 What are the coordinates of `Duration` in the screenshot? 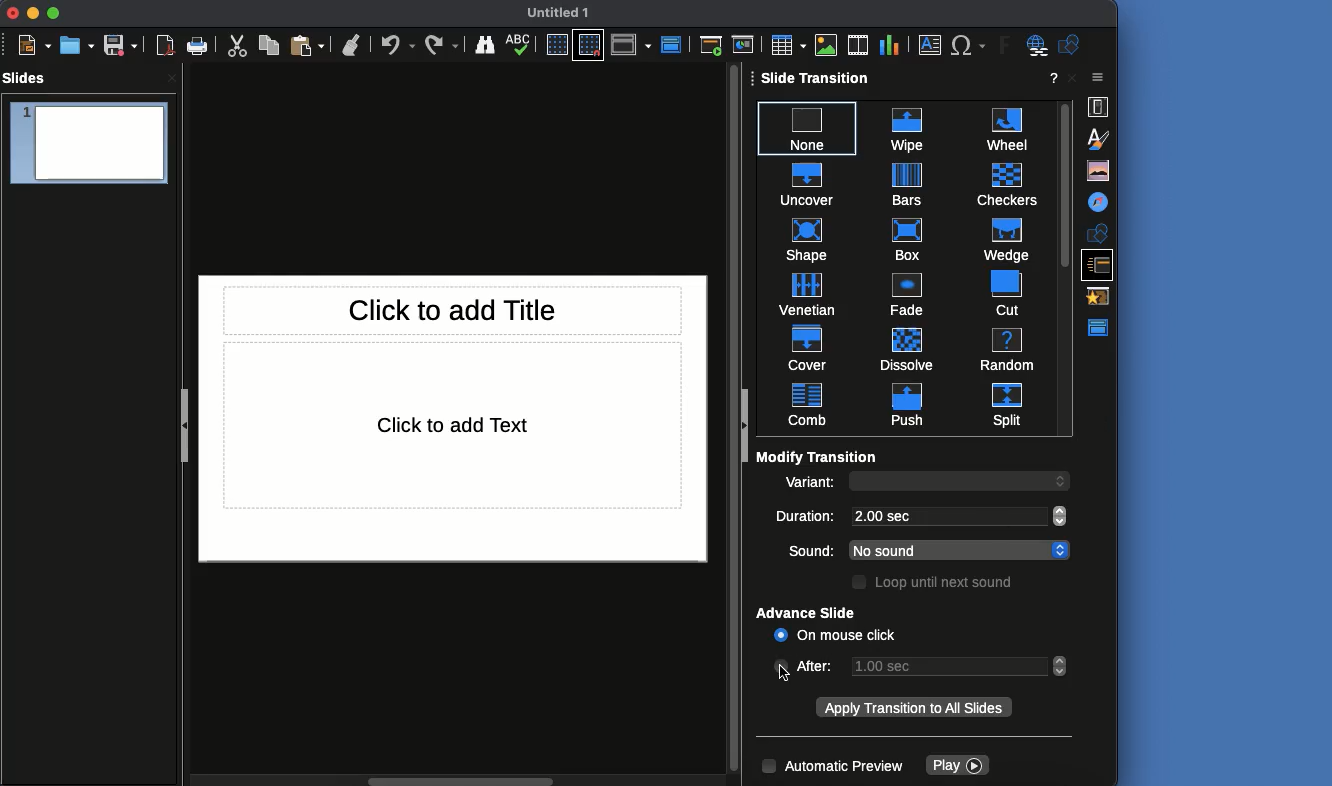 It's located at (808, 518).